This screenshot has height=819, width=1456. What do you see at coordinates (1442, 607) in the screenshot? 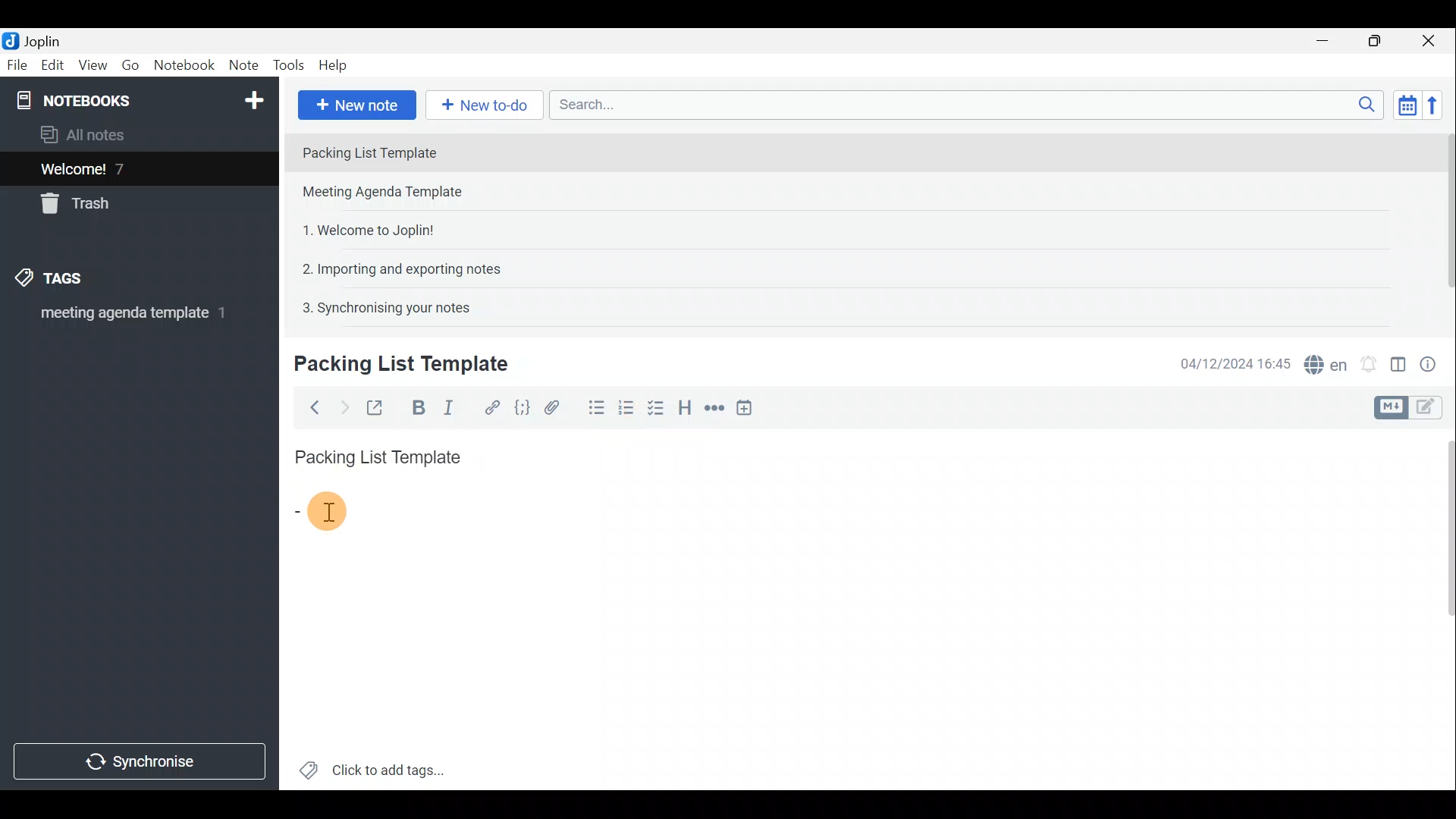
I see `Scroll bar` at bounding box center [1442, 607].